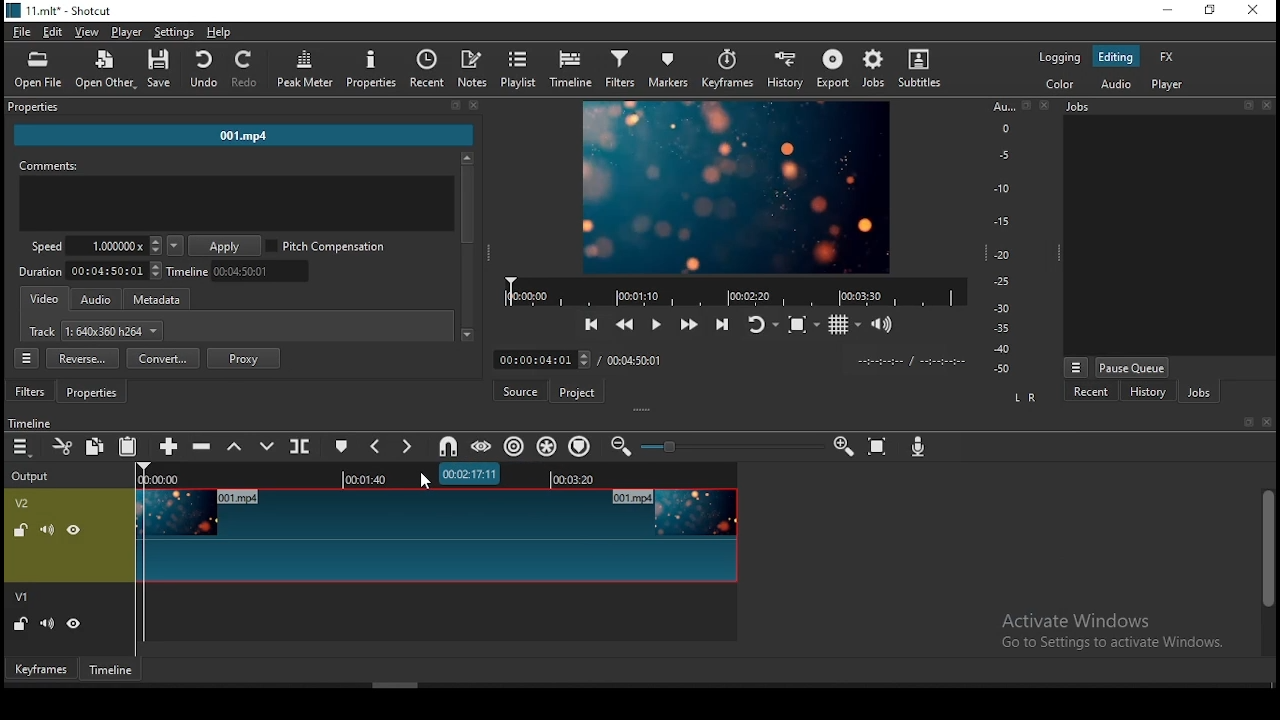 Image resolution: width=1280 pixels, height=720 pixels. I want to click on TIME, so click(911, 361).